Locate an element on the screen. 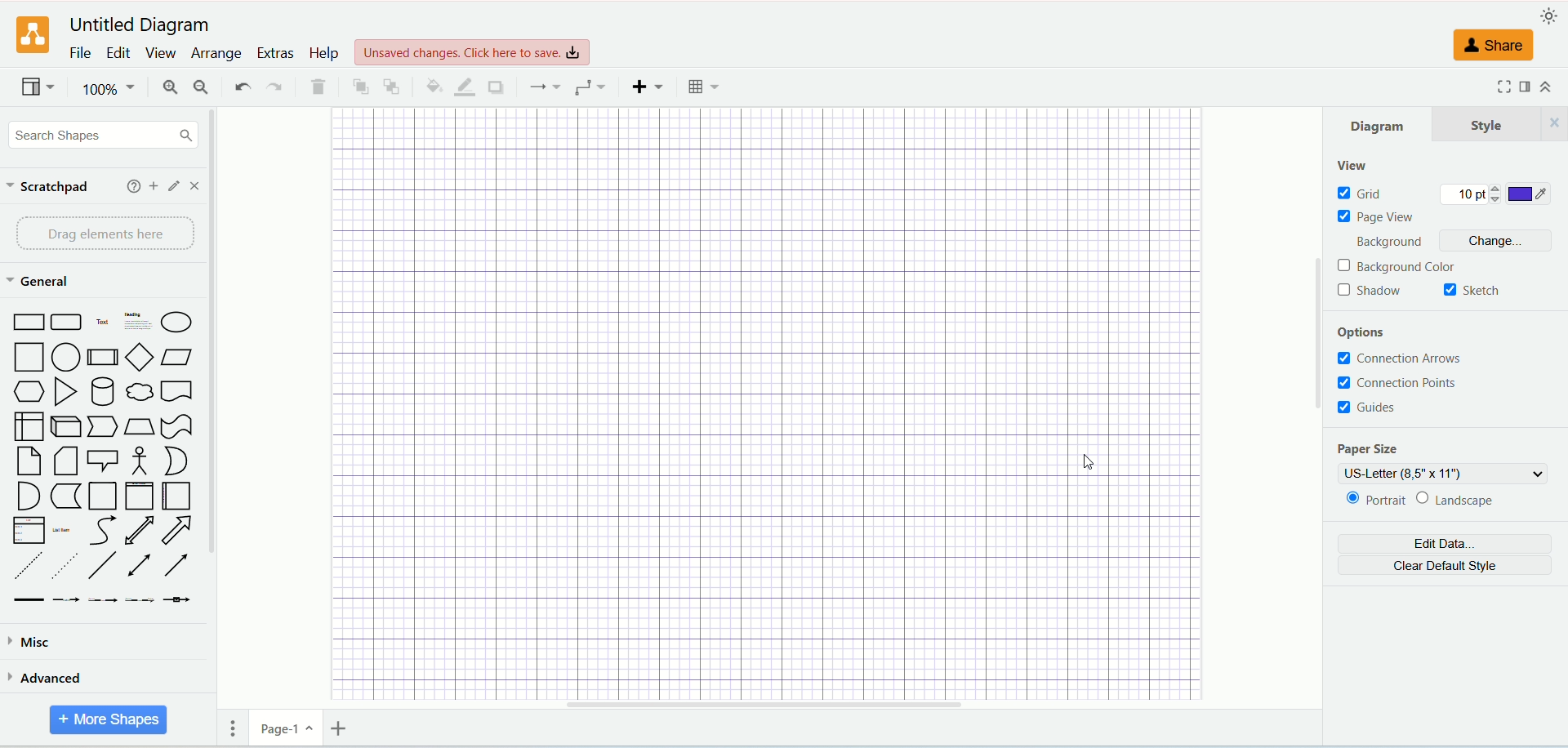 This screenshot has height=748, width=1568. Or is located at coordinates (178, 461).